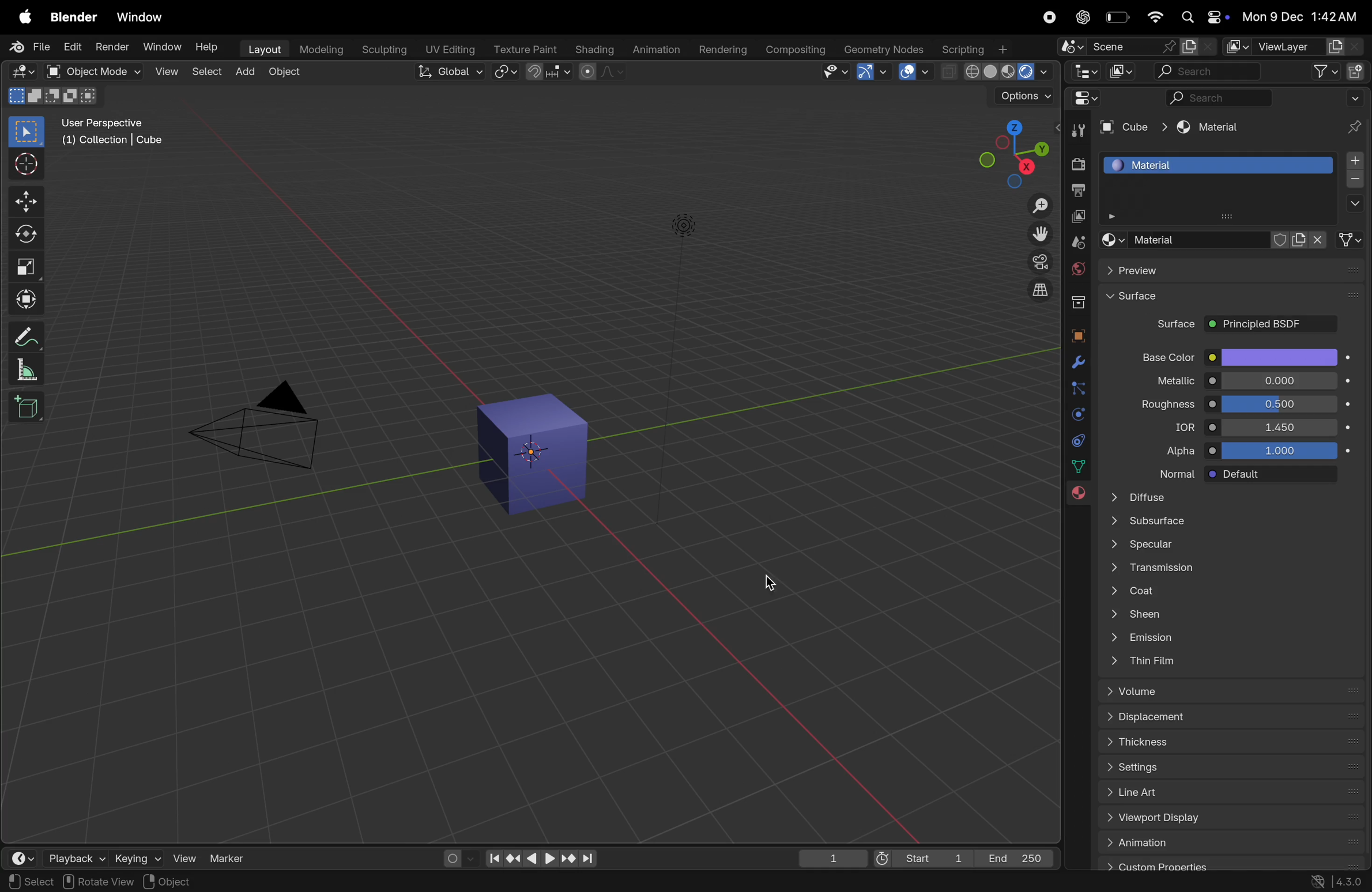  Describe the element at coordinates (1041, 202) in the screenshot. I see `zoom i ` at that location.